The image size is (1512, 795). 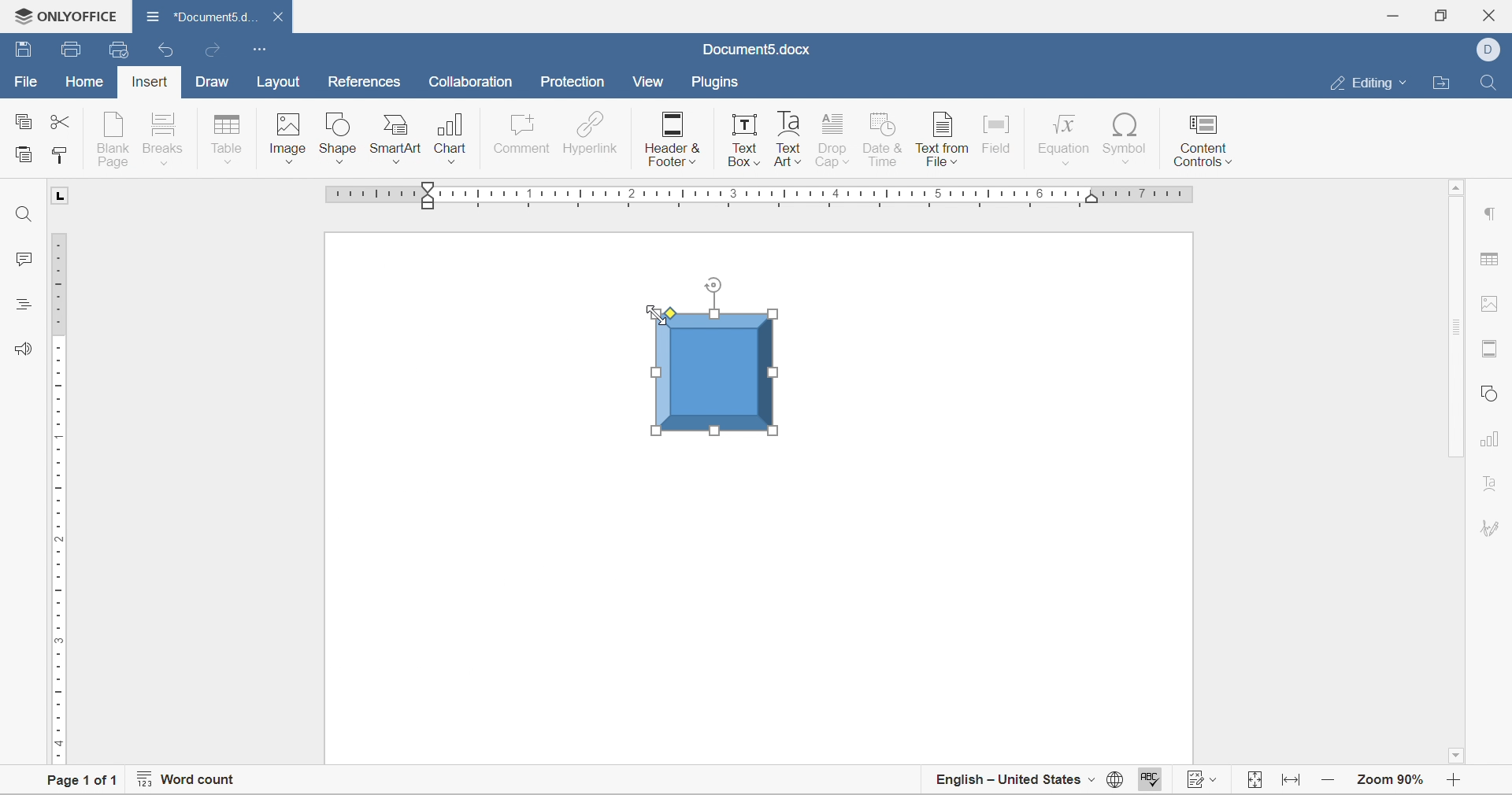 I want to click on table, so click(x=226, y=139).